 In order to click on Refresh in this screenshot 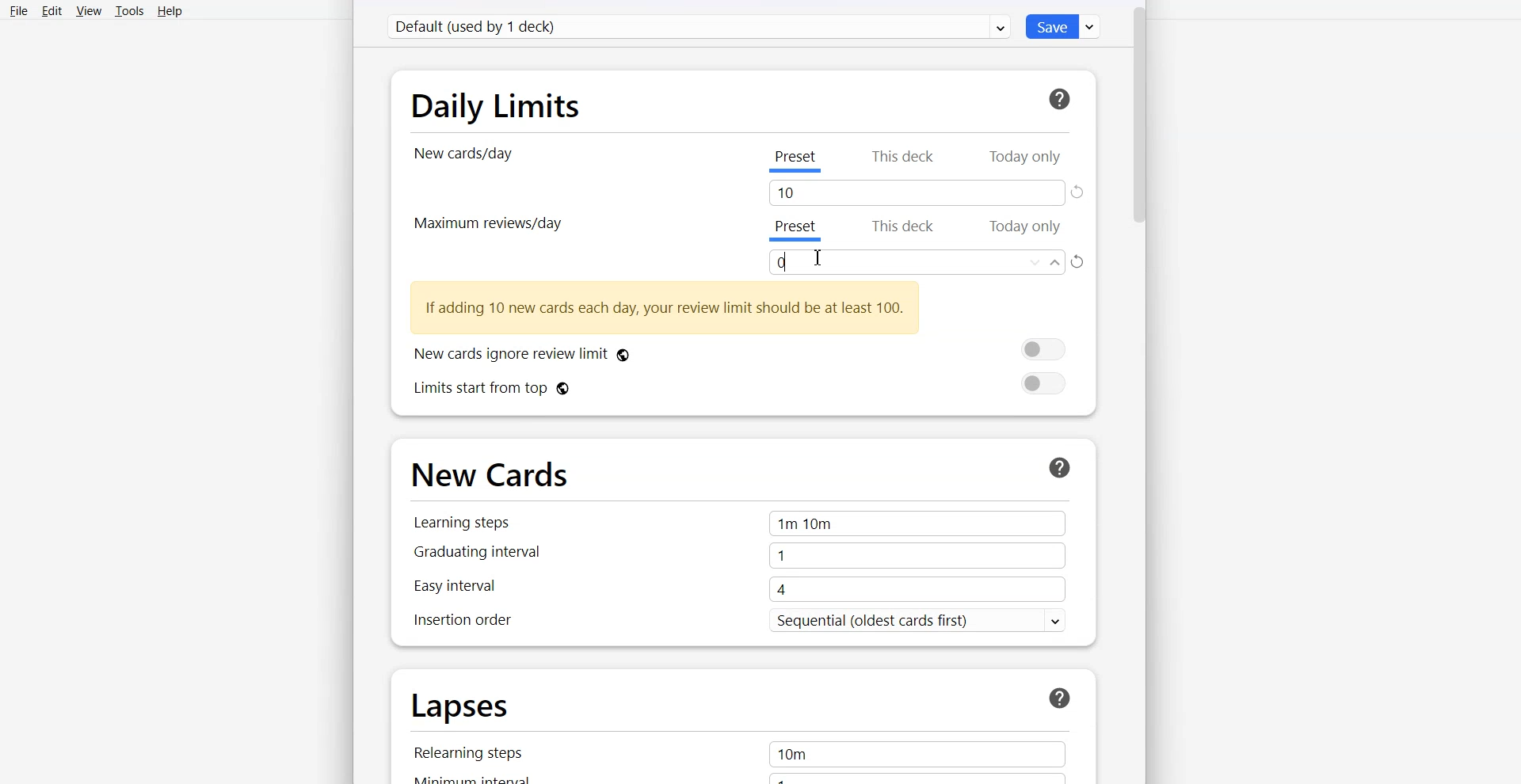, I will do `click(1080, 263)`.